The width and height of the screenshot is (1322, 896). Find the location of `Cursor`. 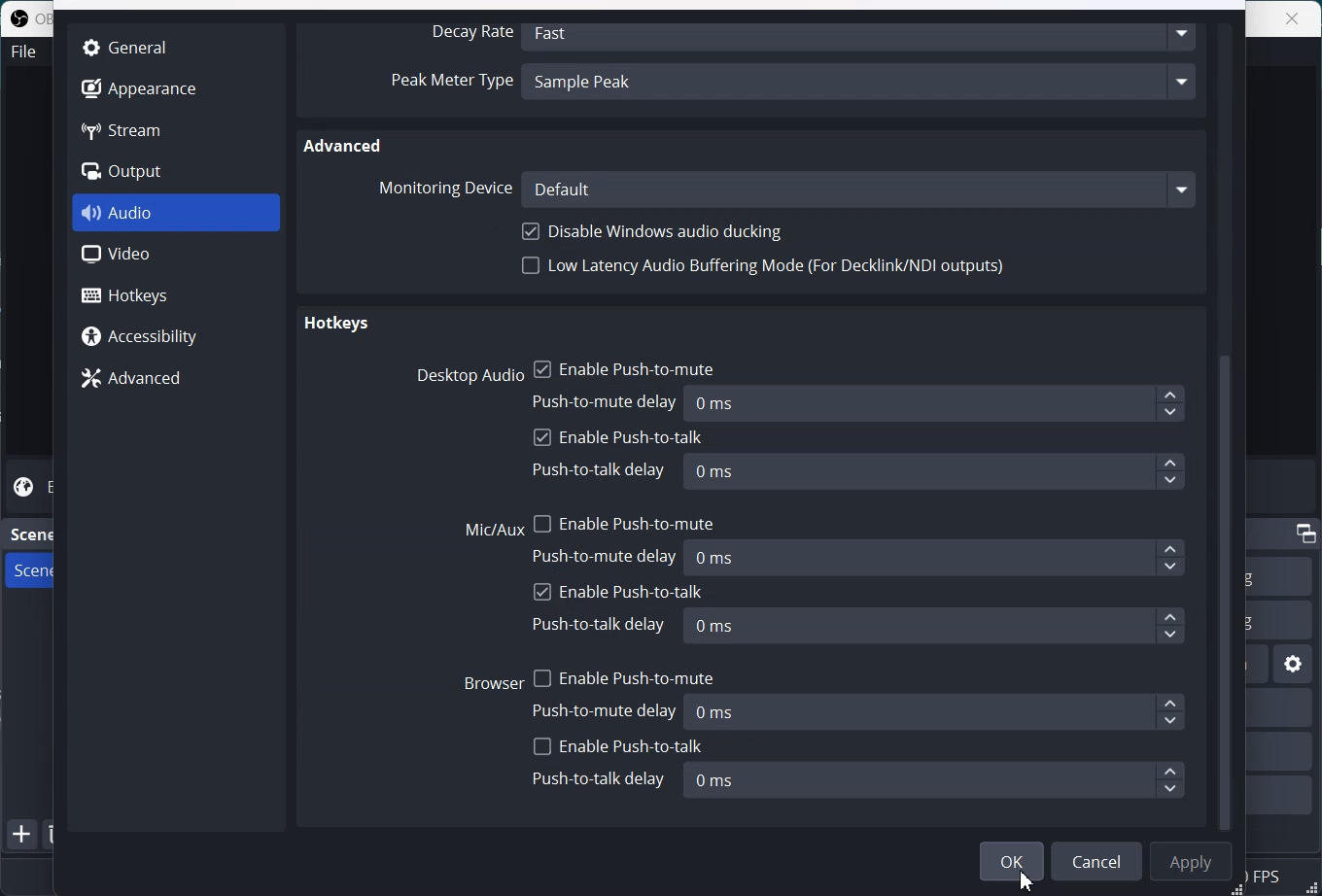

Cursor is located at coordinates (1026, 879).